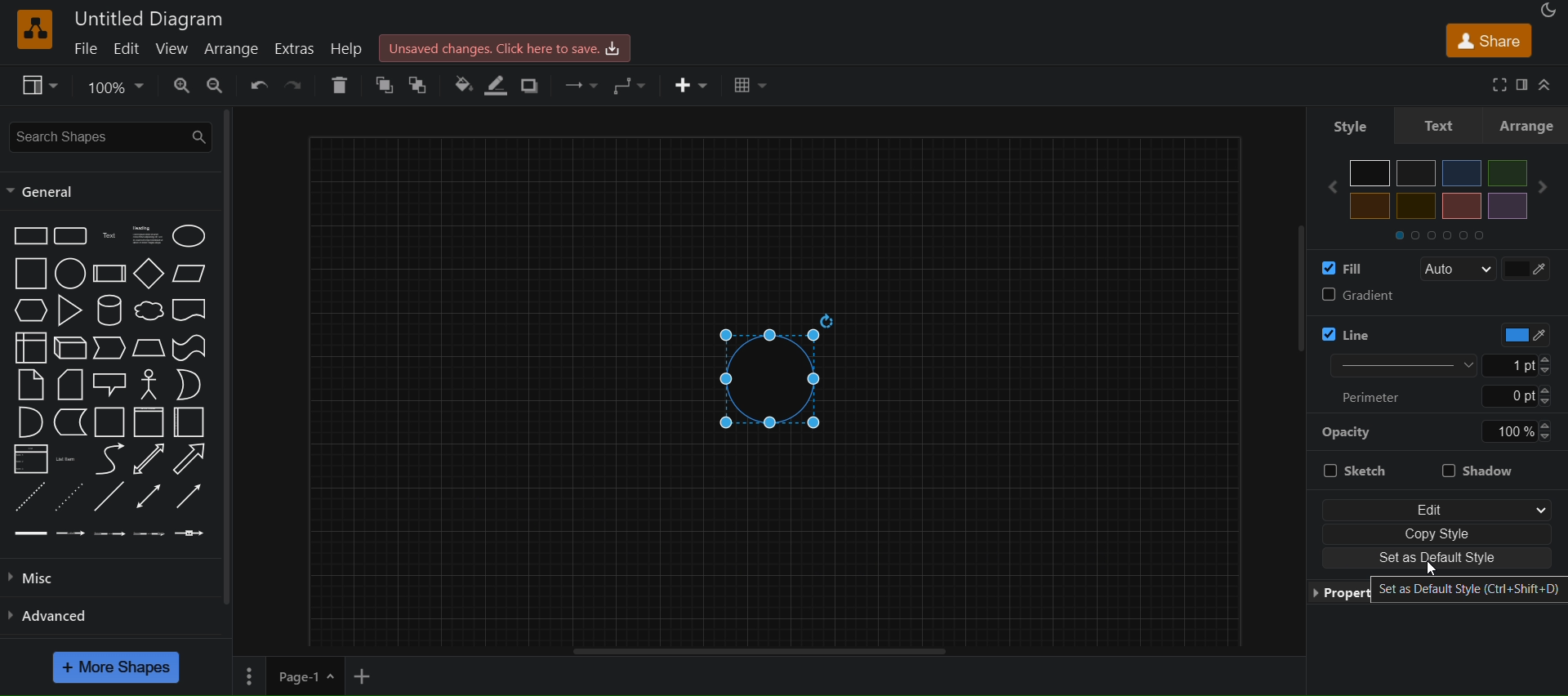  I want to click on arrange, so click(1530, 125).